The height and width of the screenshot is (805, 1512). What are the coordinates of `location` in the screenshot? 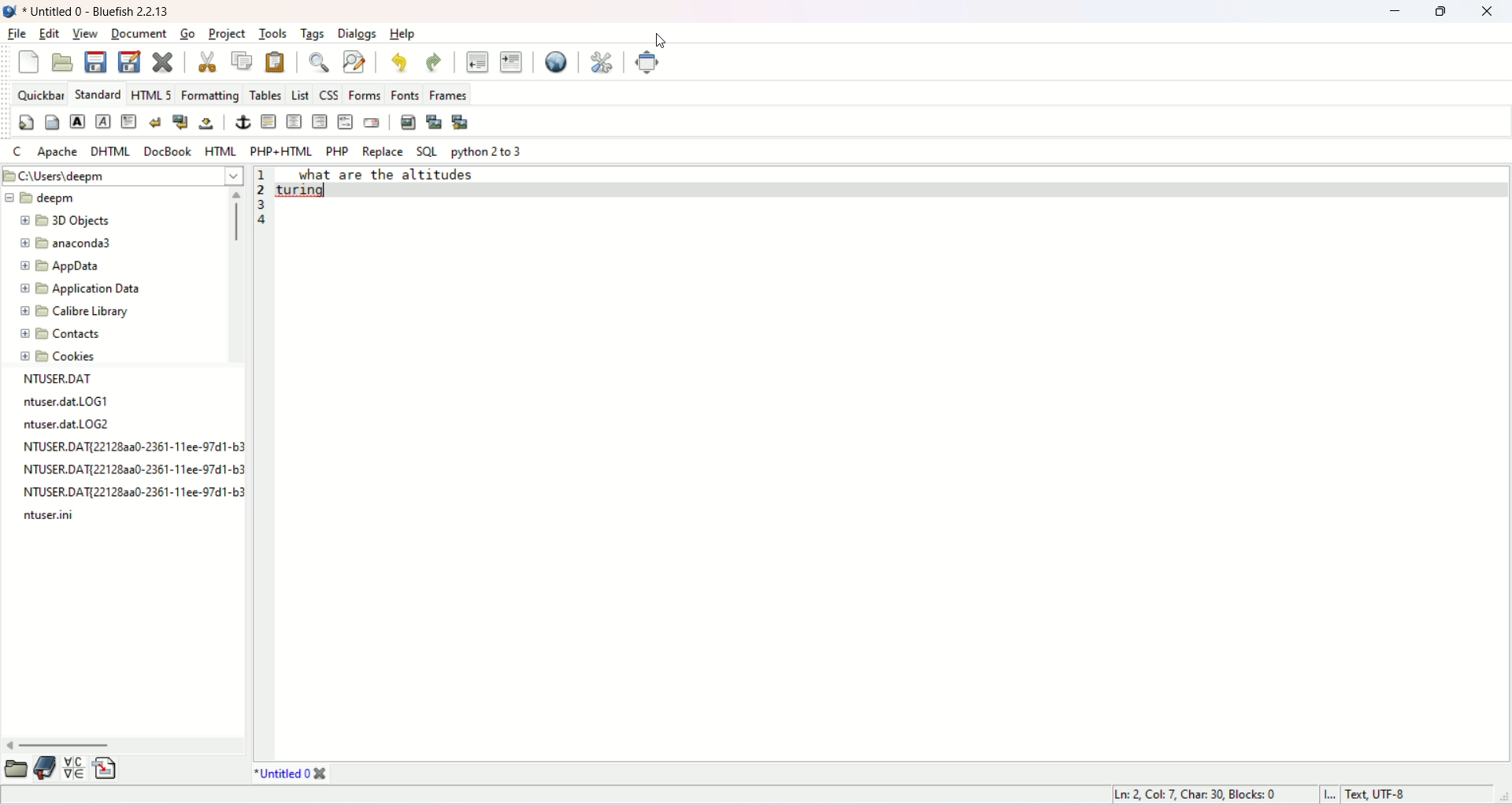 It's located at (121, 176).